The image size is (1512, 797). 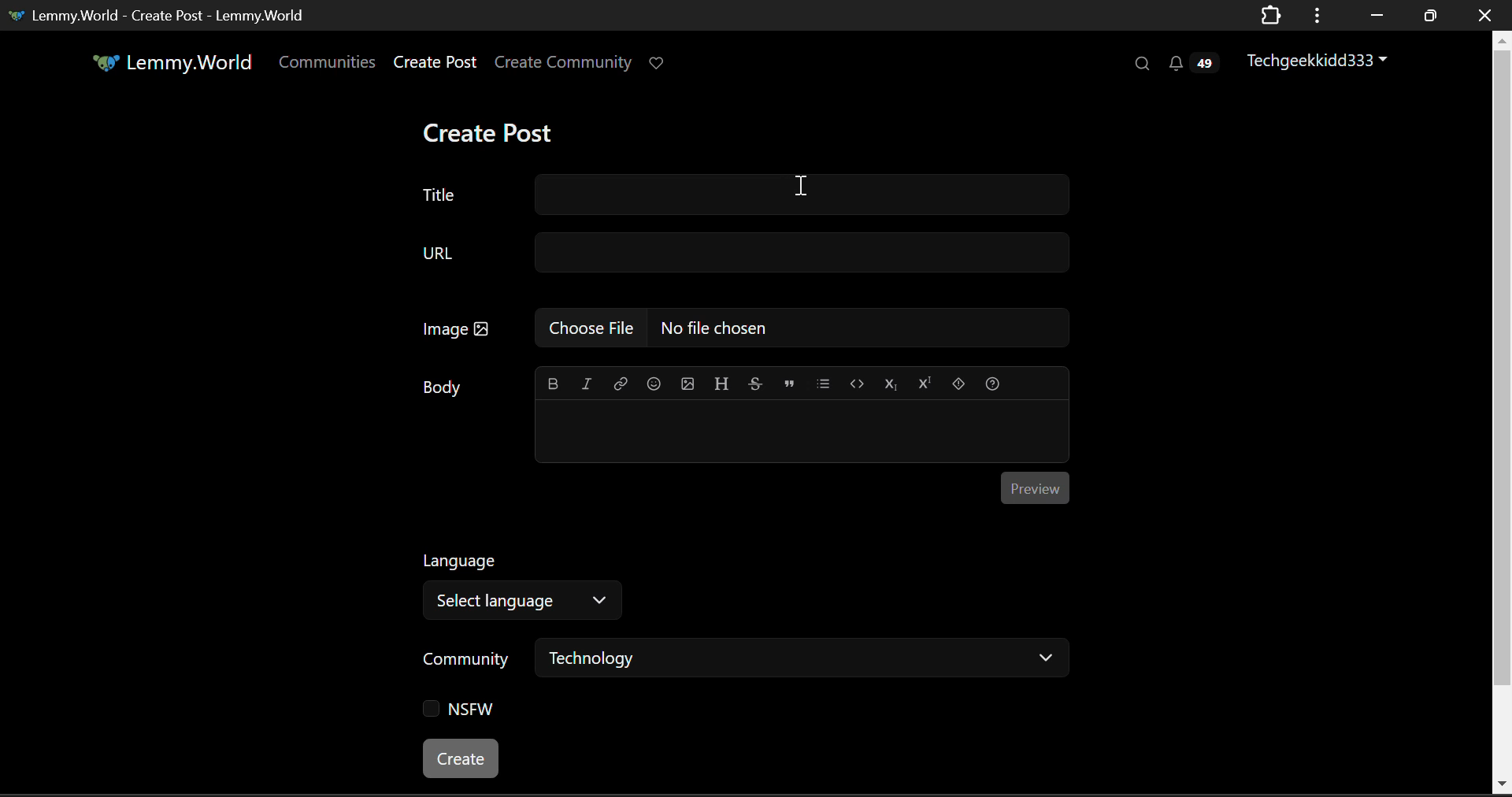 I want to click on Donate to Lemmy, so click(x=658, y=65).